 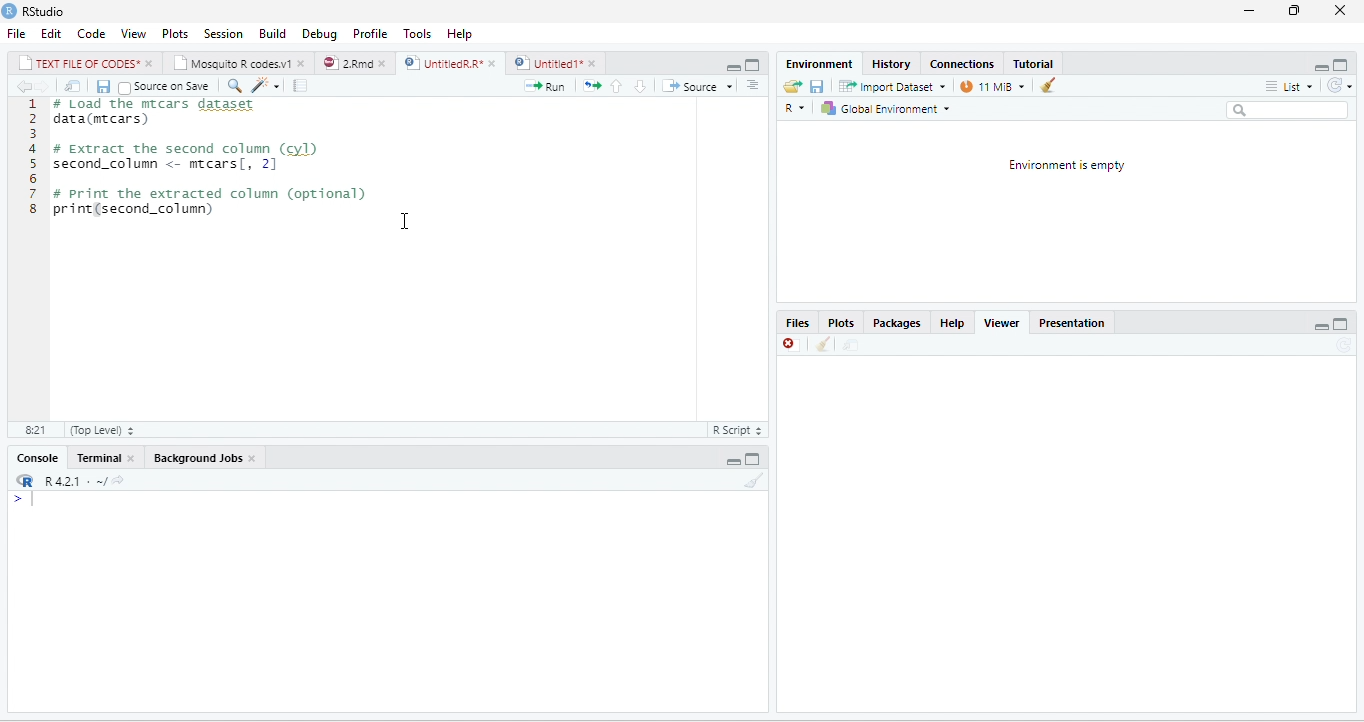 What do you see at coordinates (1077, 323) in the screenshot?
I see `Presentation` at bounding box center [1077, 323].